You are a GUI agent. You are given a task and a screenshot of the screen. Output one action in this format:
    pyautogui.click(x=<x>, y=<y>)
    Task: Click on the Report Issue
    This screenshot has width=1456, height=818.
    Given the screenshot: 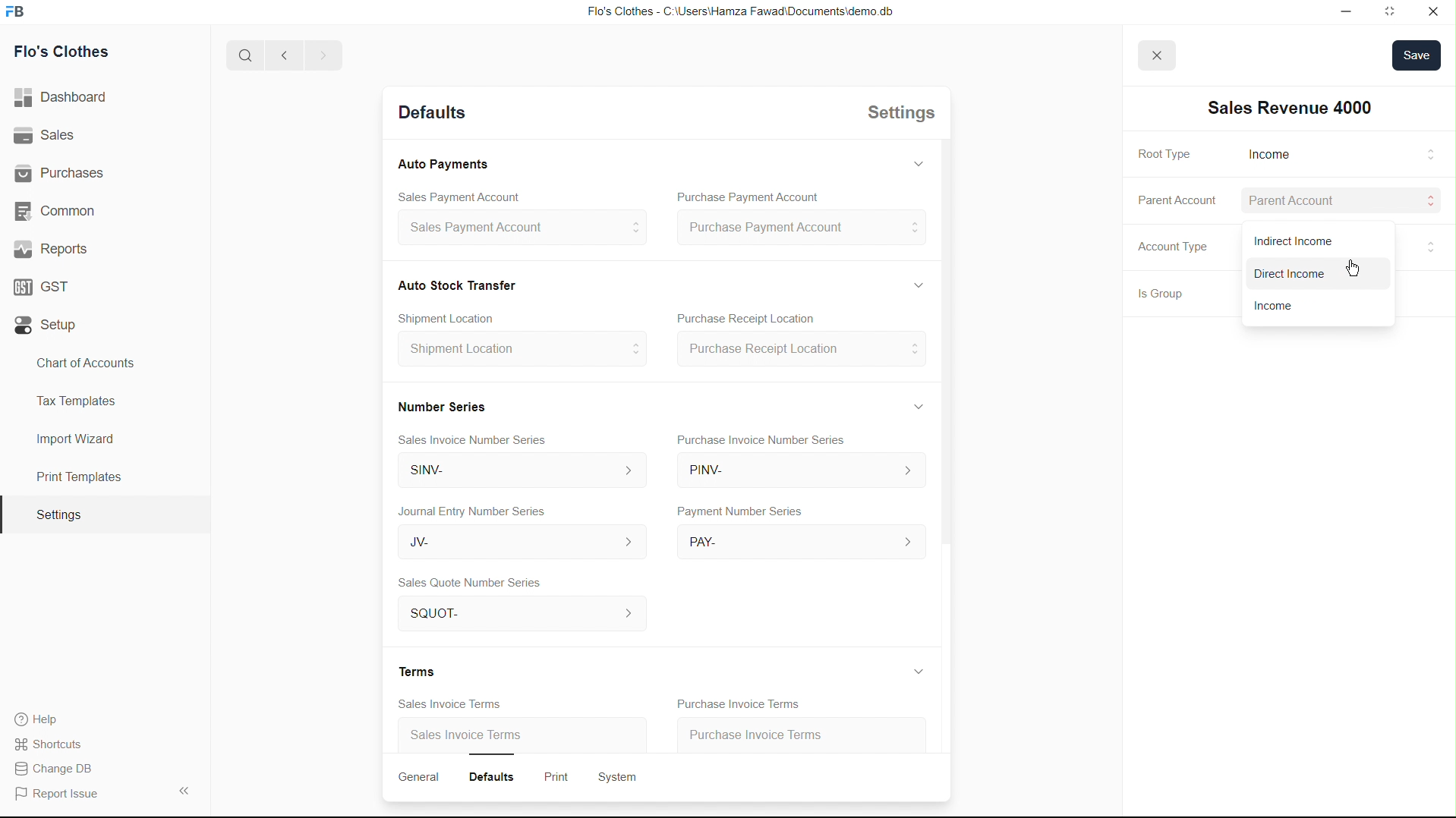 What is the action you would take?
    pyautogui.click(x=61, y=794)
    